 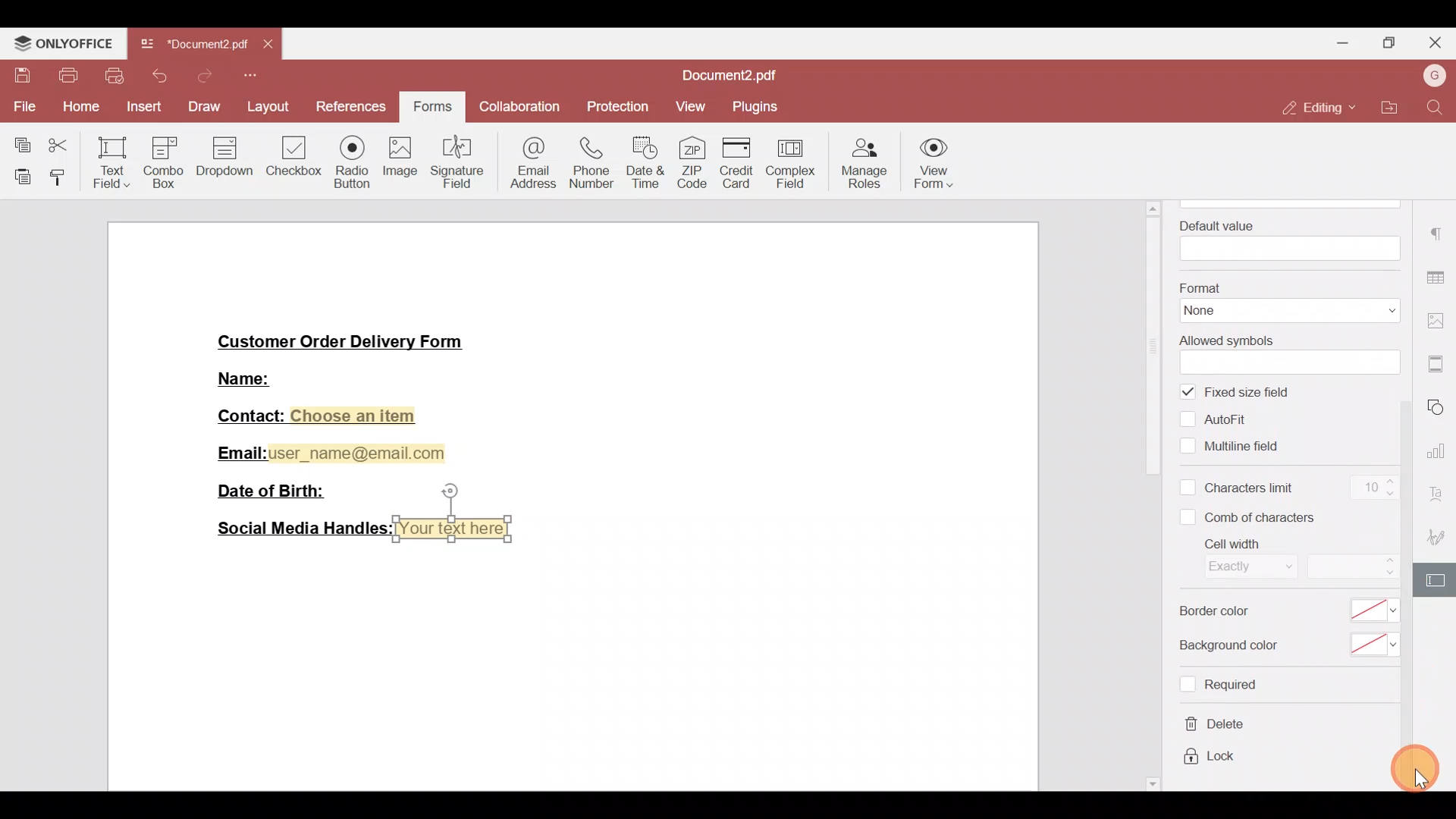 I want to click on Cell width, so click(x=1236, y=559).